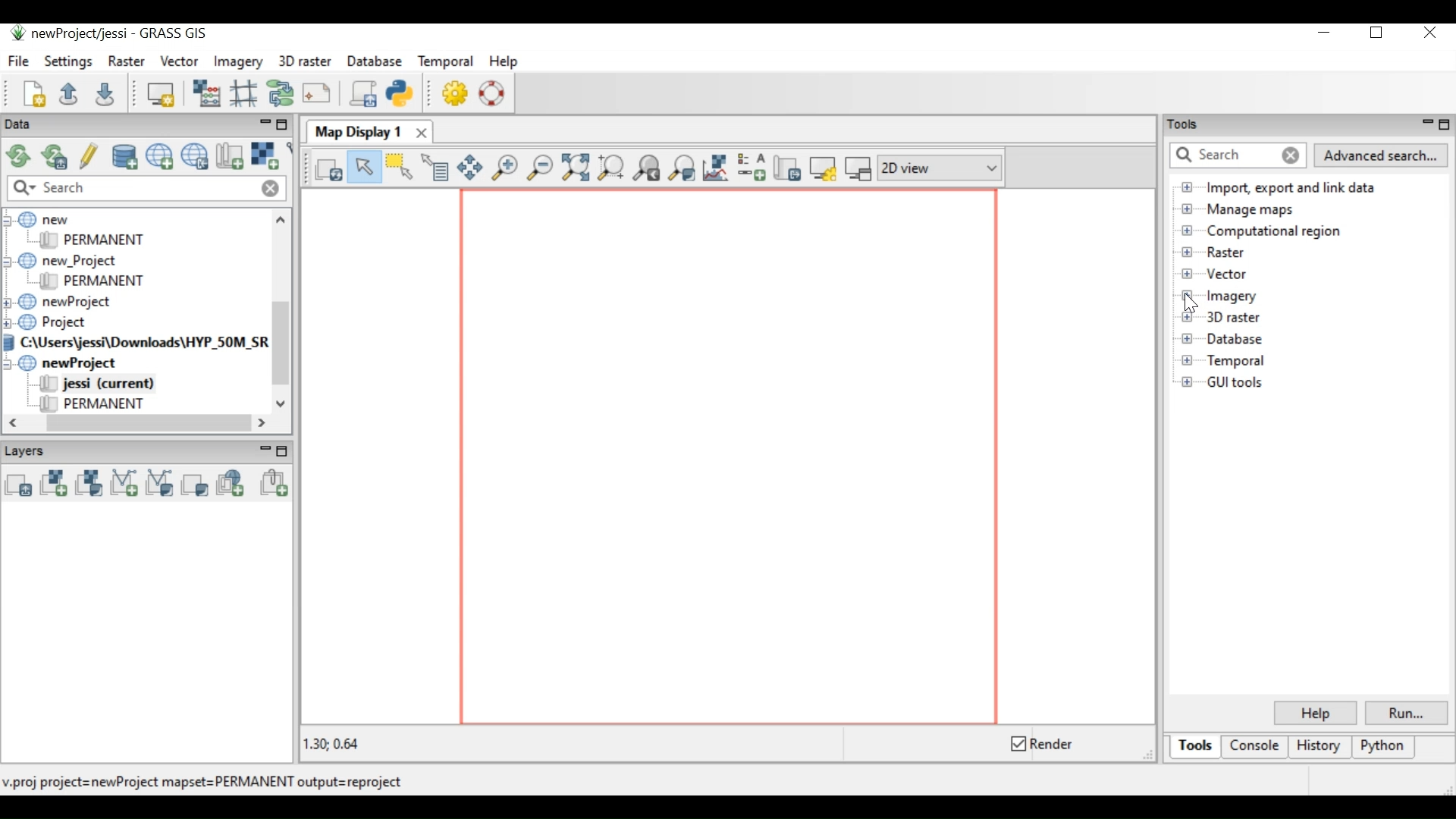 This screenshot has width=1456, height=819. Describe the element at coordinates (1216, 253) in the screenshot. I see `Raster` at that location.